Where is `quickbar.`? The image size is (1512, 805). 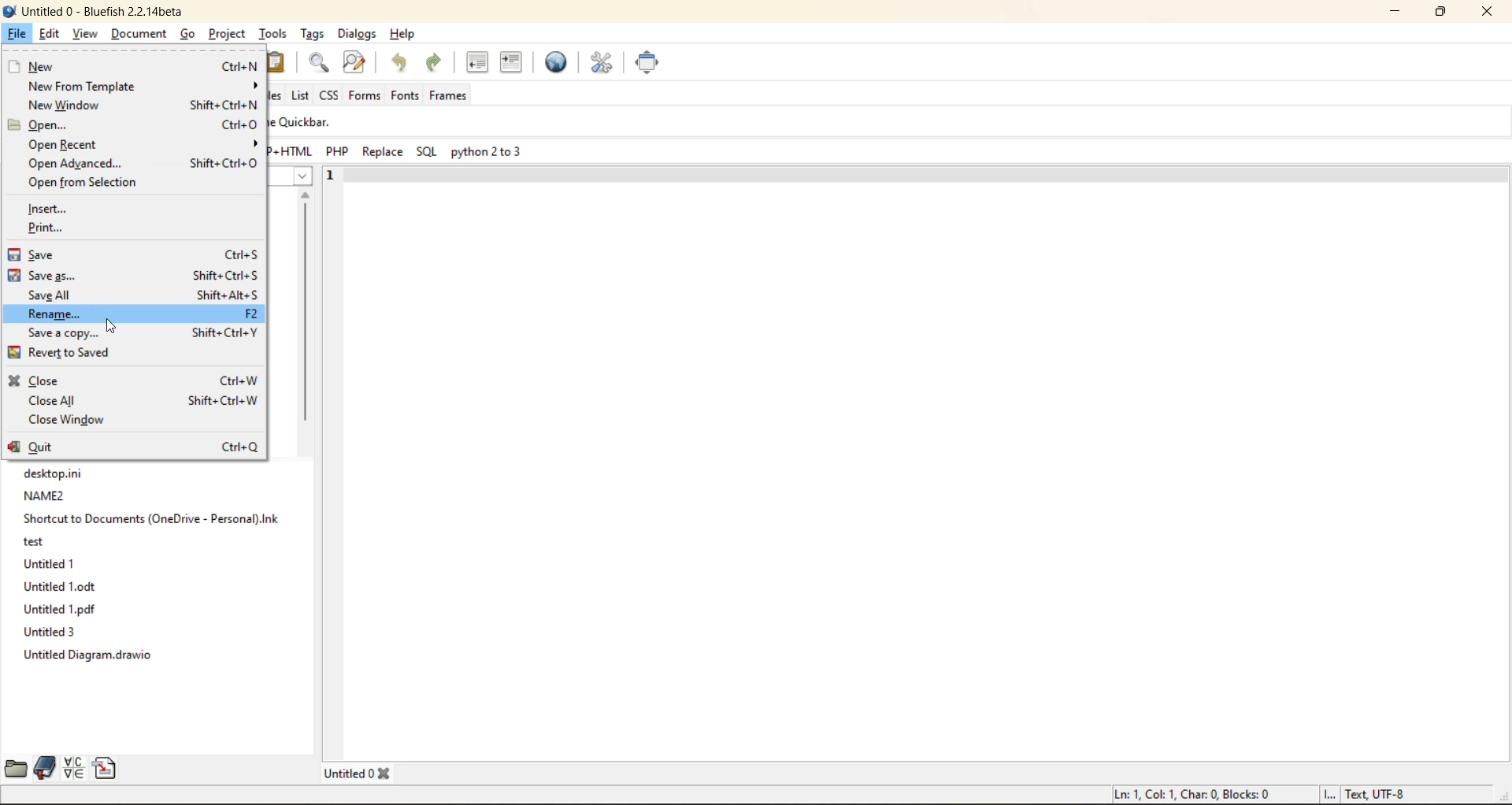
quickbar. is located at coordinates (309, 121).